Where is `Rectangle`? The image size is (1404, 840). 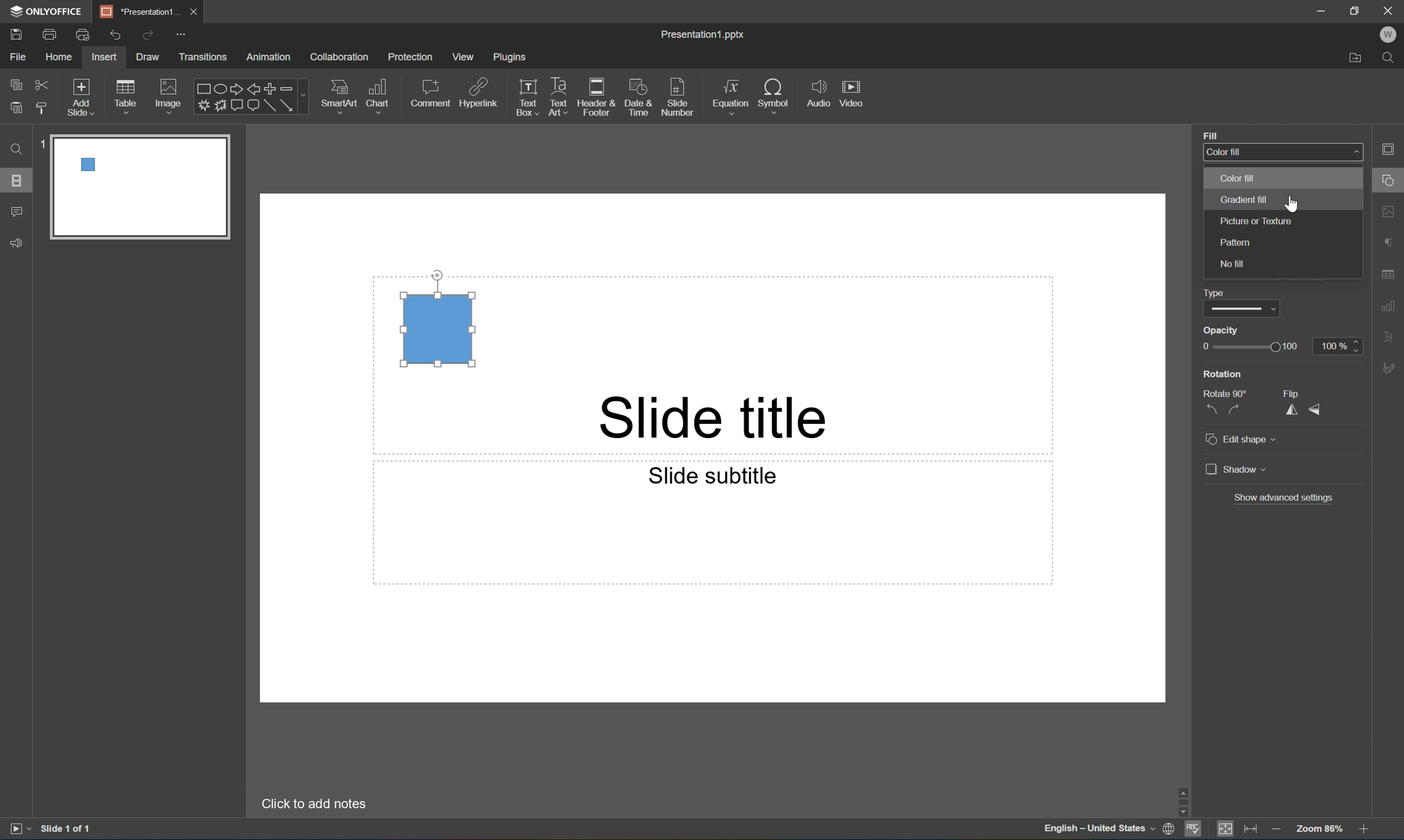 Rectangle is located at coordinates (444, 330).